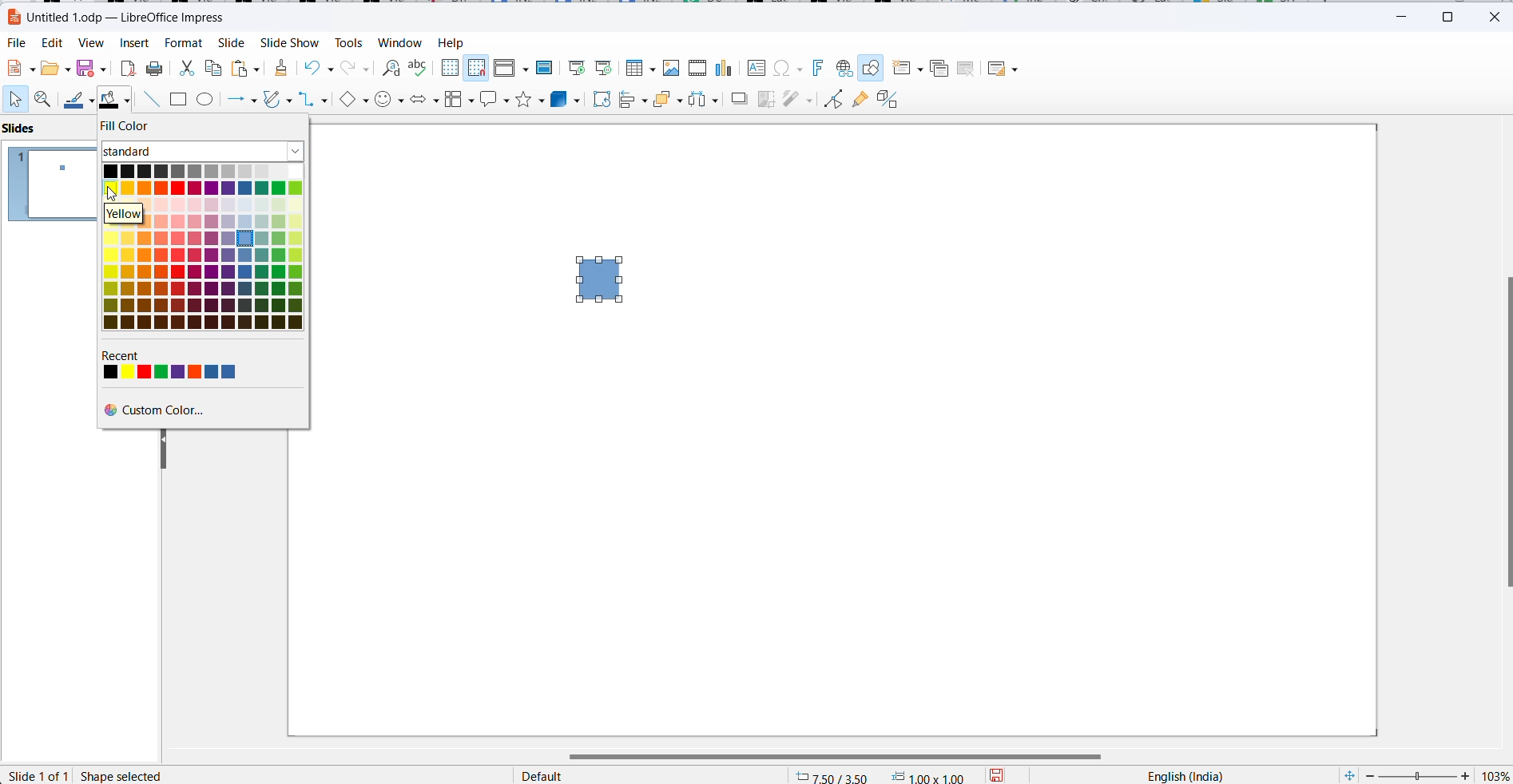 The image size is (1513, 784). I want to click on redo, so click(356, 69).